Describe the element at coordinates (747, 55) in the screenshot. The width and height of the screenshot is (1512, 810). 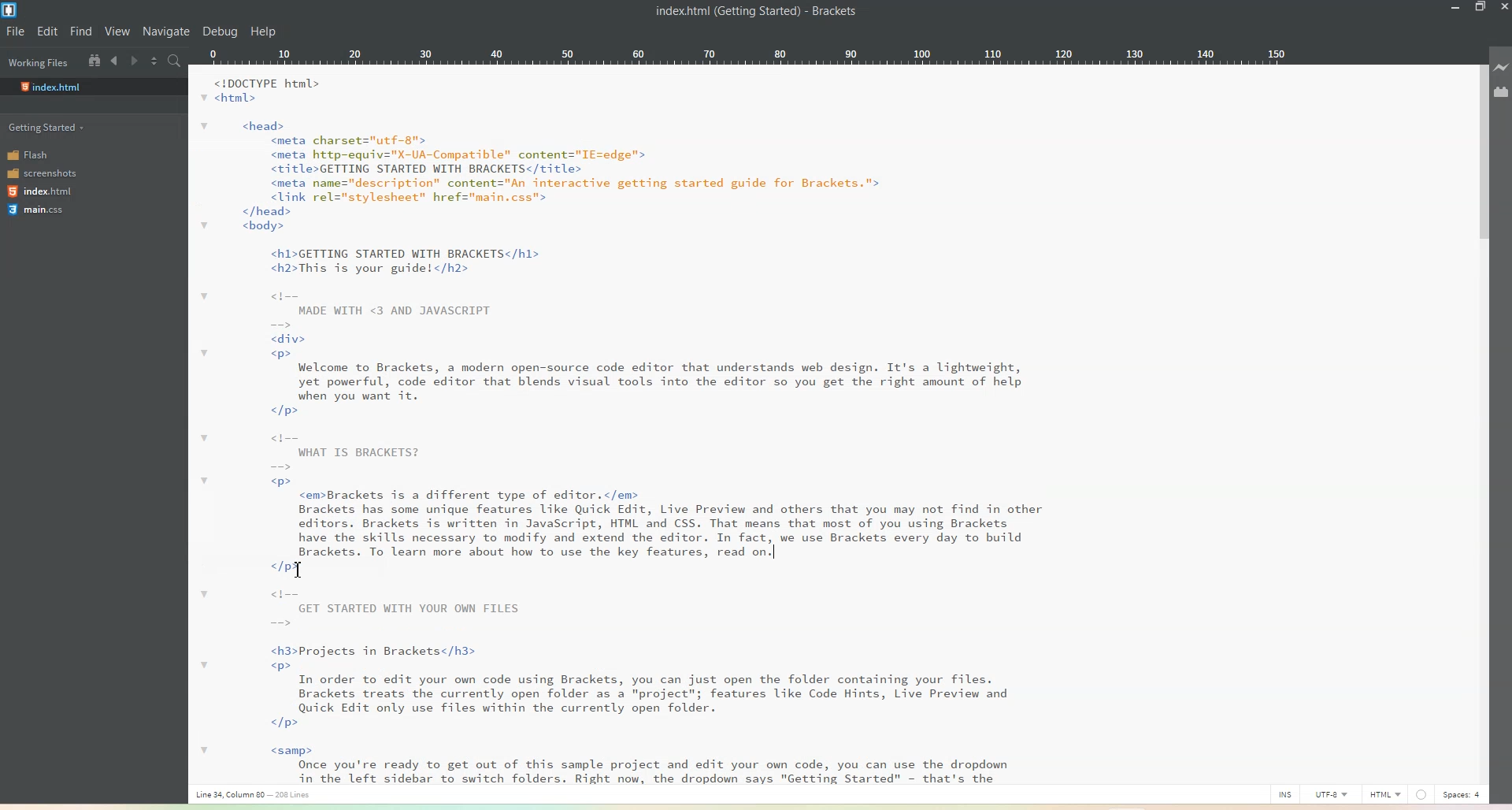
I see `Ruler` at that location.